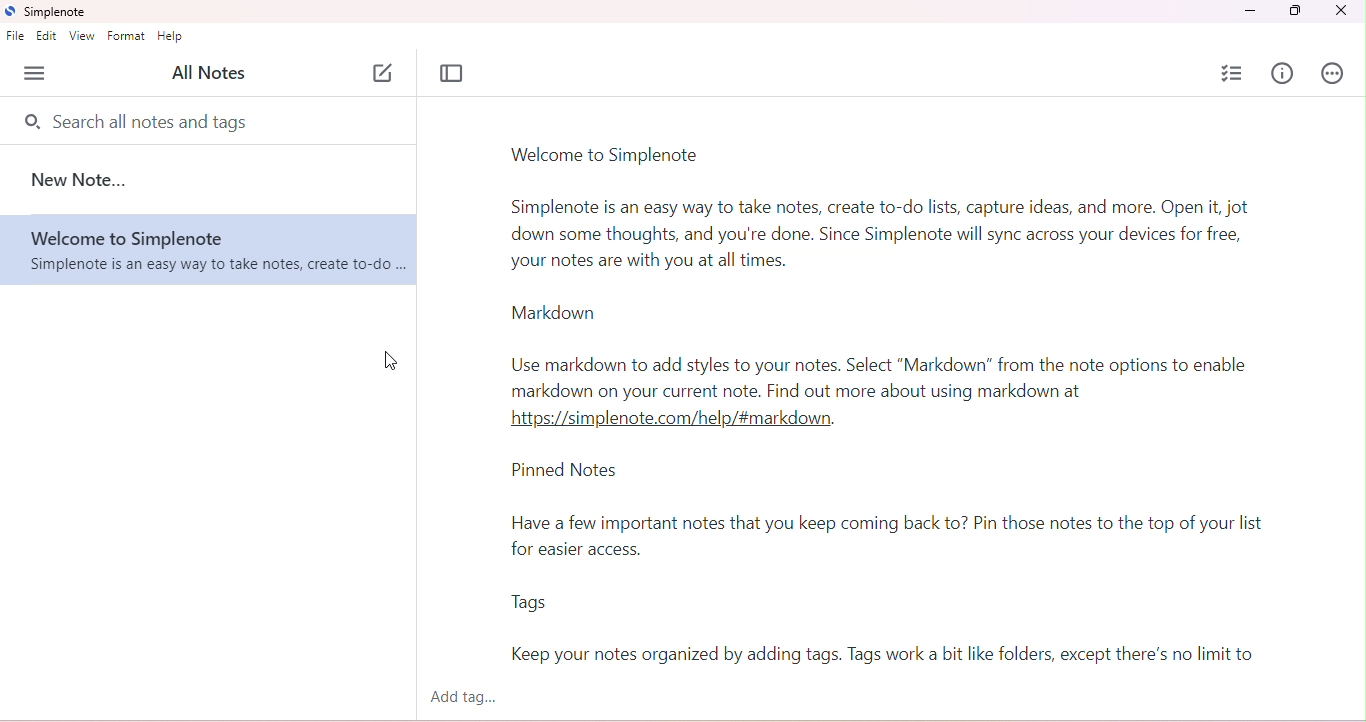  Describe the element at coordinates (608, 155) in the screenshot. I see `welcome to simplenote` at that location.